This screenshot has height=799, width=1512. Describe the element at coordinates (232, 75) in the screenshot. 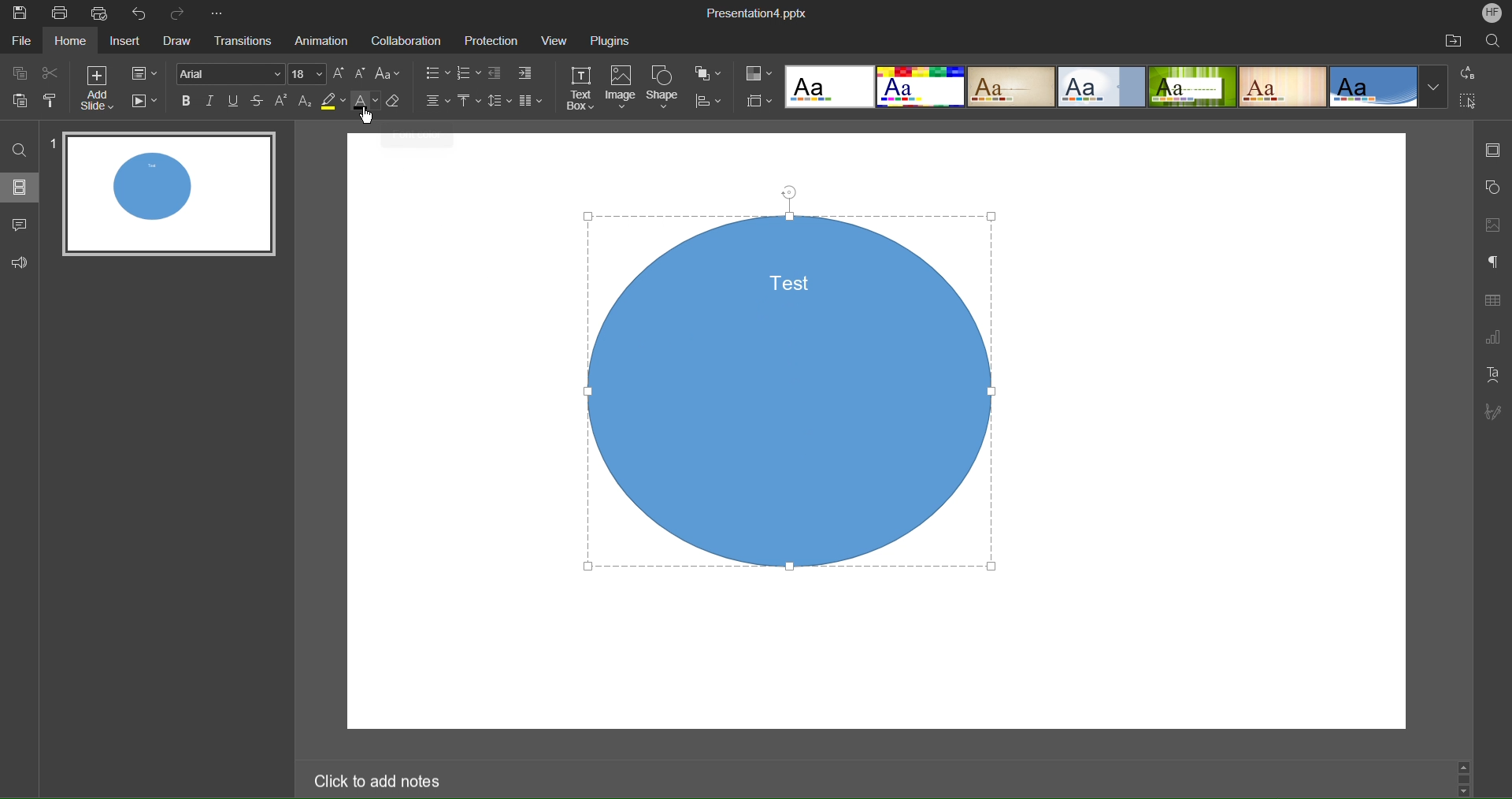

I see `Font` at that location.